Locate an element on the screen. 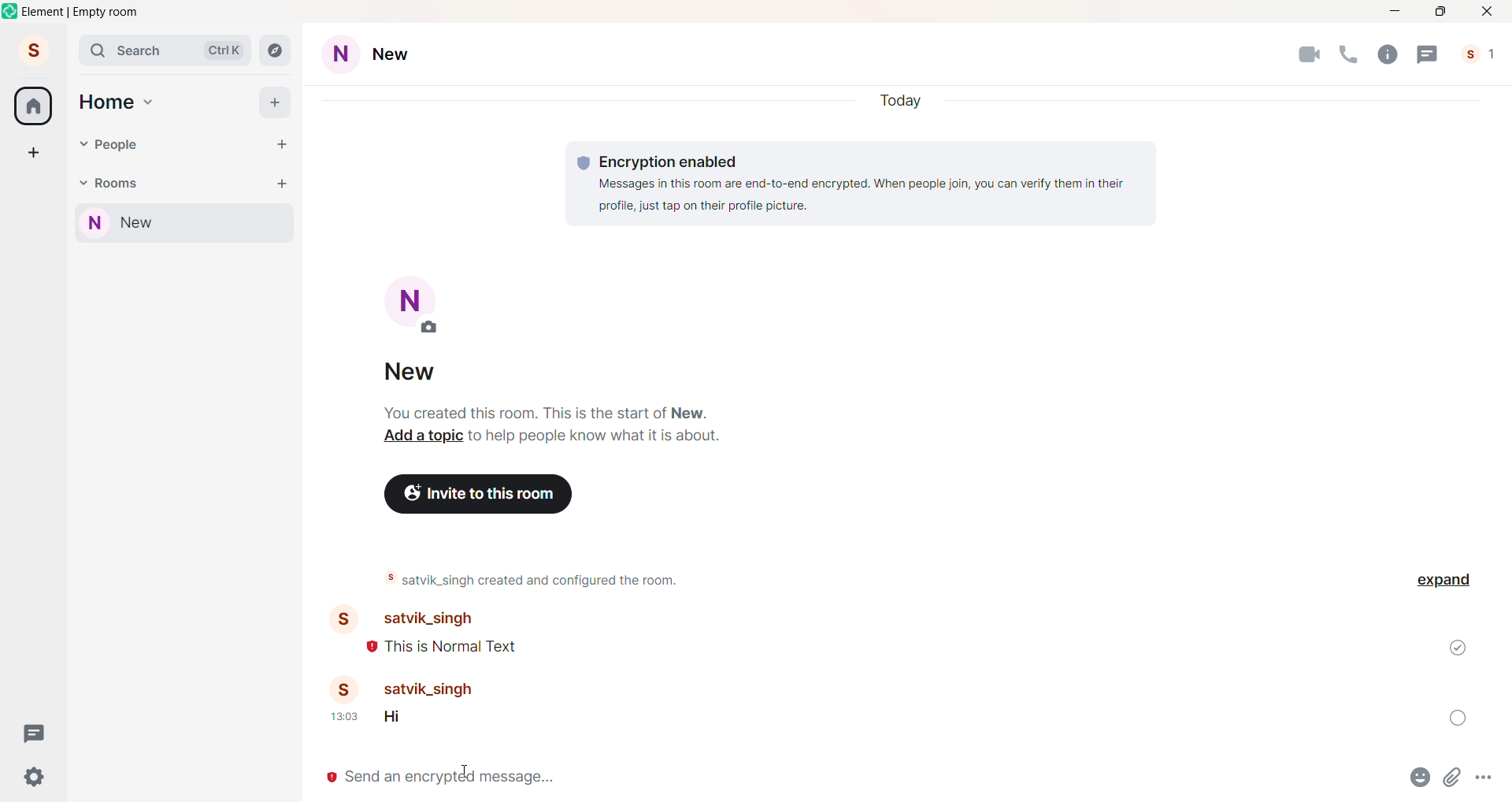 This screenshot has height=802, width=1512. Logo is located at coordinates (11, 11).